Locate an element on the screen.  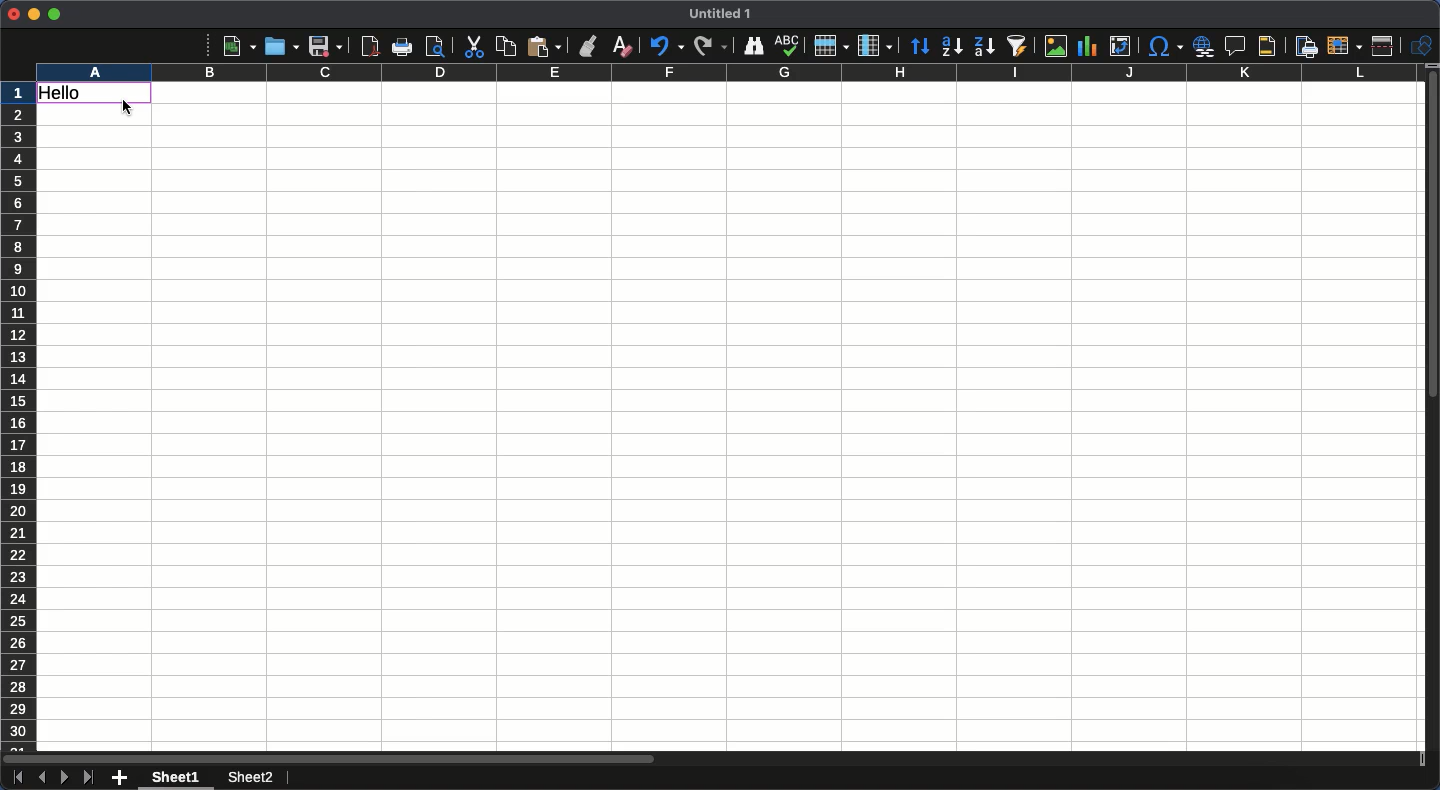
Next sheet is located at coordinates (65, 778).